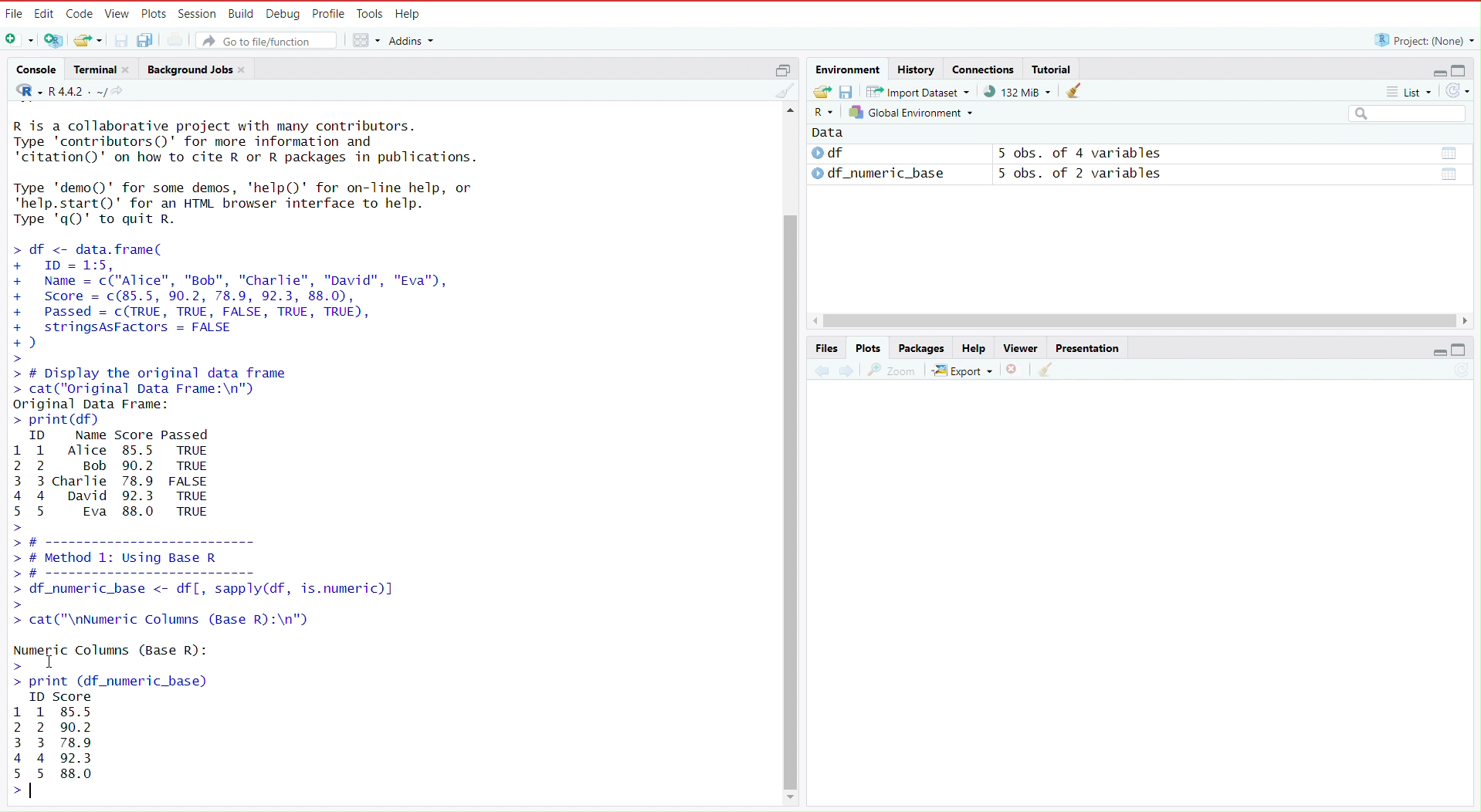  Describe the element at coordinates (366, 40) in the screenshot. I see `workspace panes` at that location.